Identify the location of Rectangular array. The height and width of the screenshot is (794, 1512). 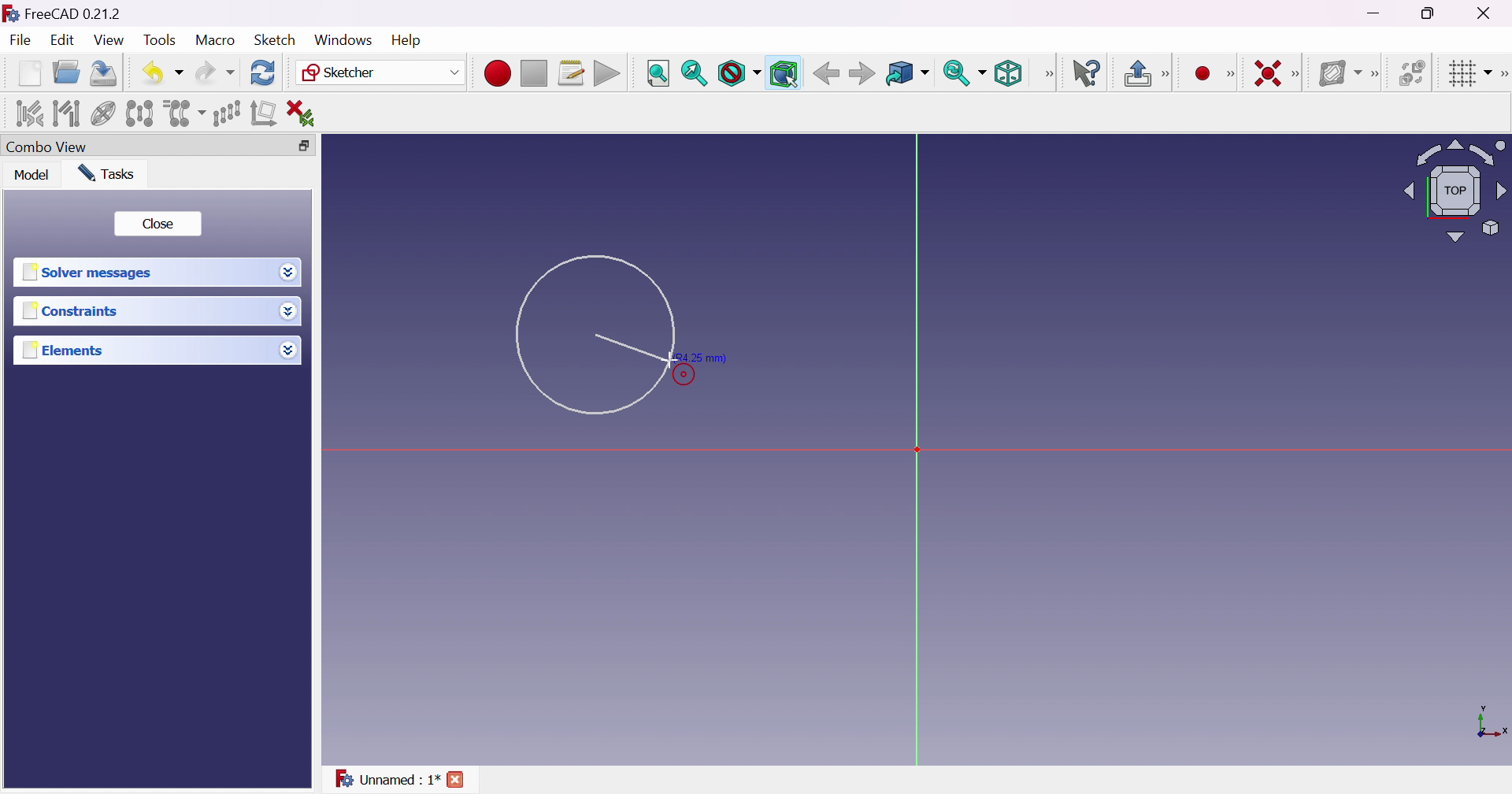
(225, 113).